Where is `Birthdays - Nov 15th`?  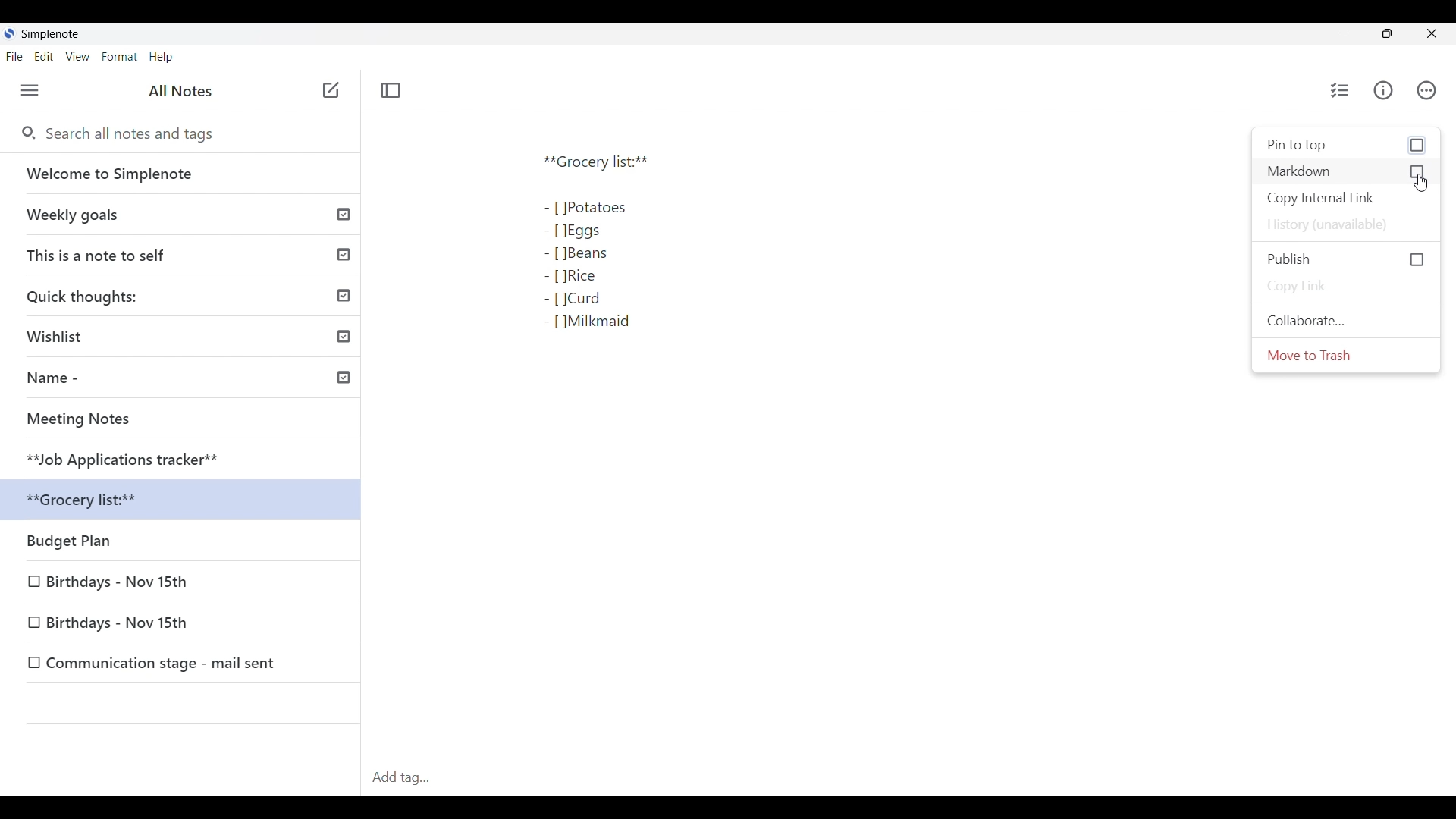
Birthdays - Nov 15th is located at coordinates (183, 623).